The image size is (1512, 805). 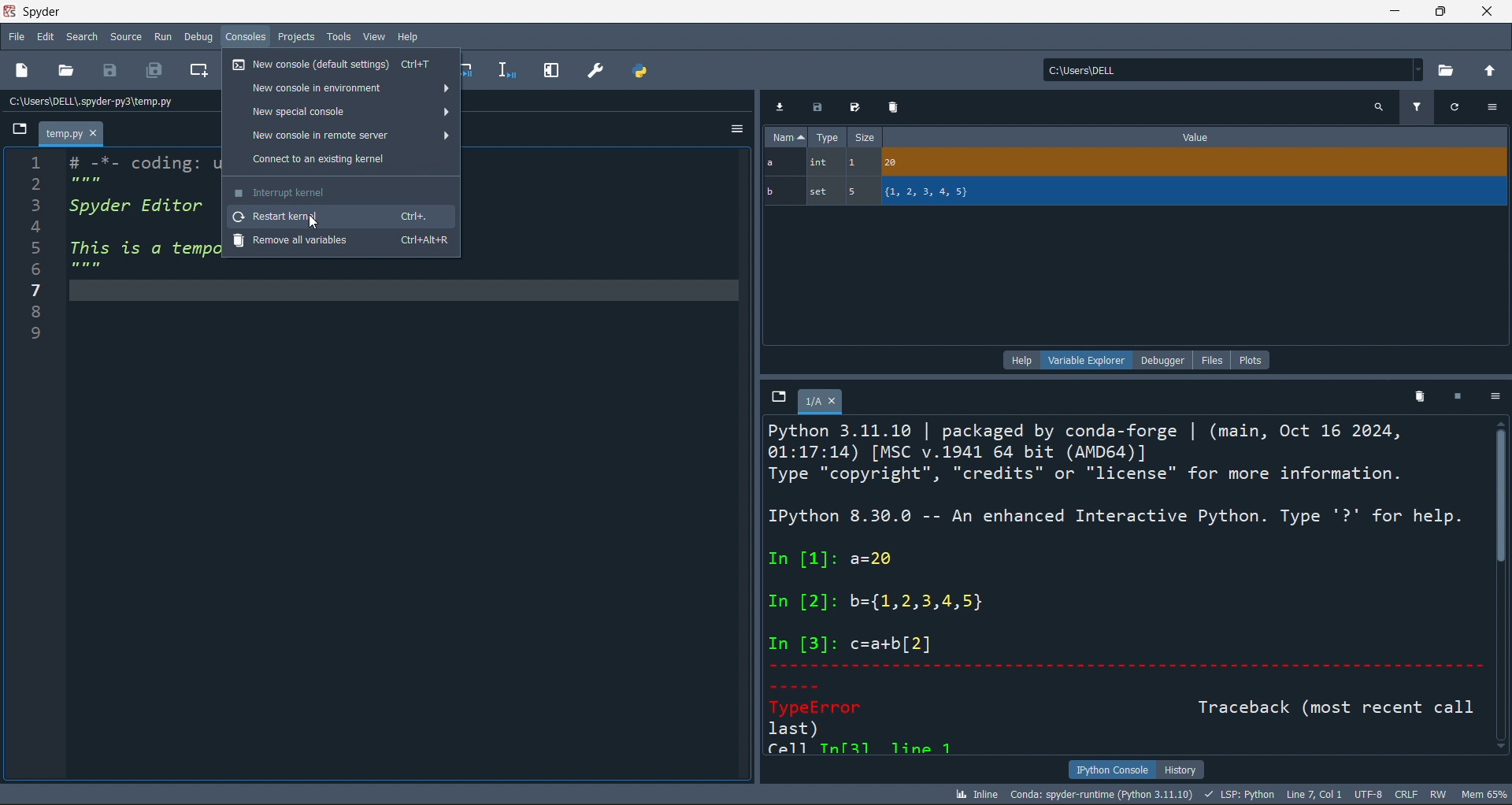 I want to click on path manager, so click(x=643, y=72).